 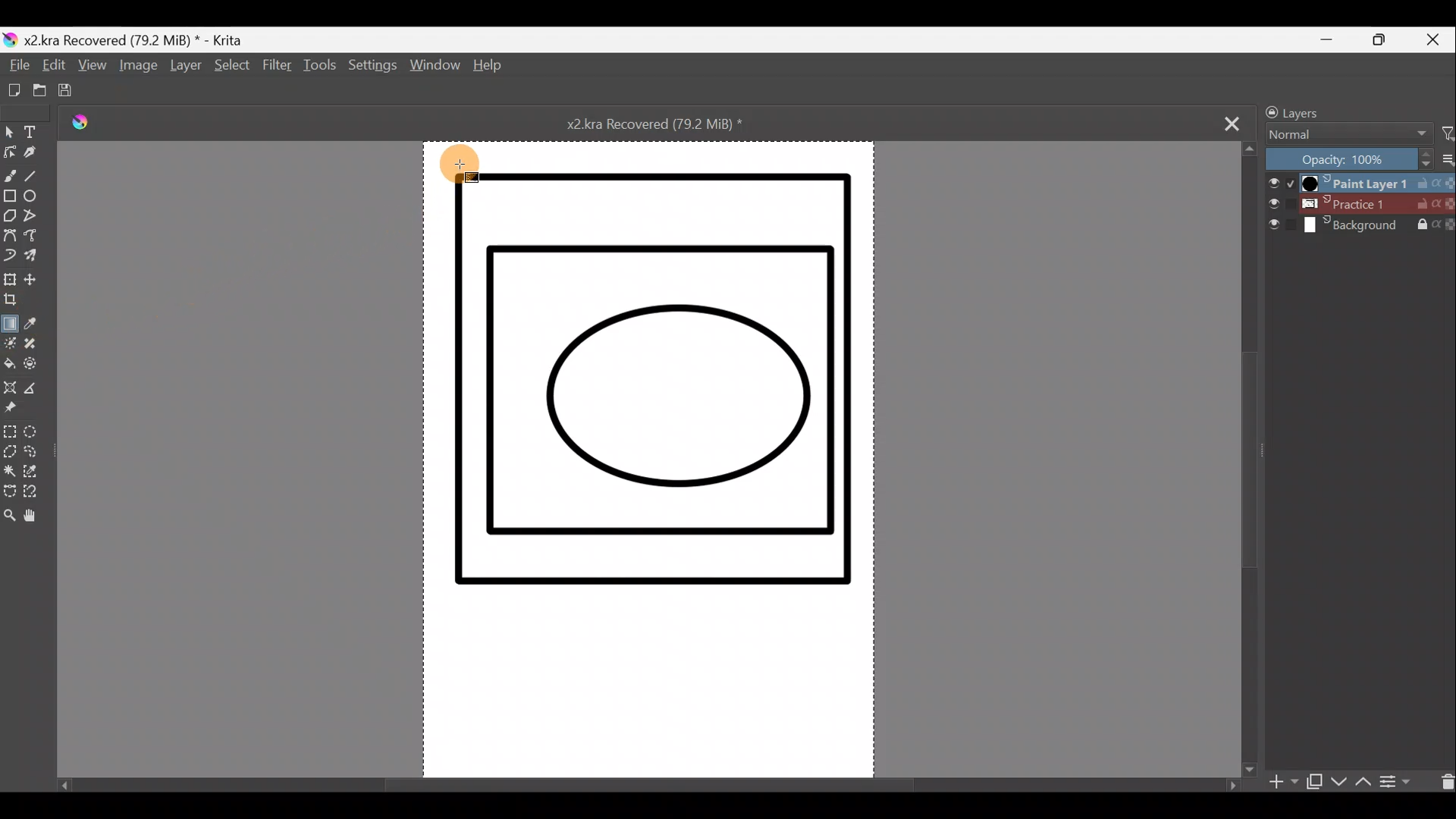 What do you see at coordinates (1443, 780) in the screenshot?
I see `Delete layer/mask` at bounding box center [1443, 780].